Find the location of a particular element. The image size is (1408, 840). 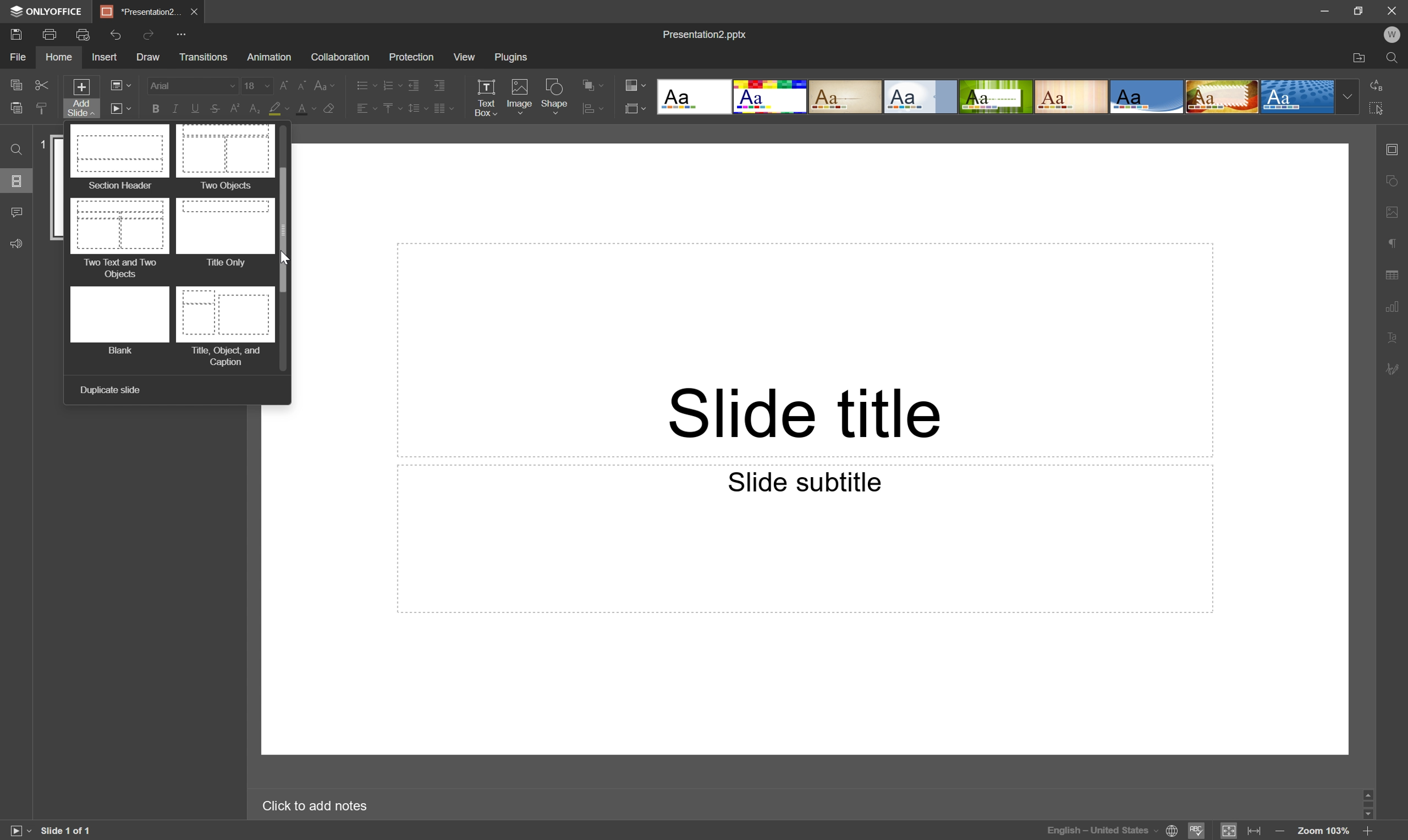

Insert is located at coordinates (103, 57).